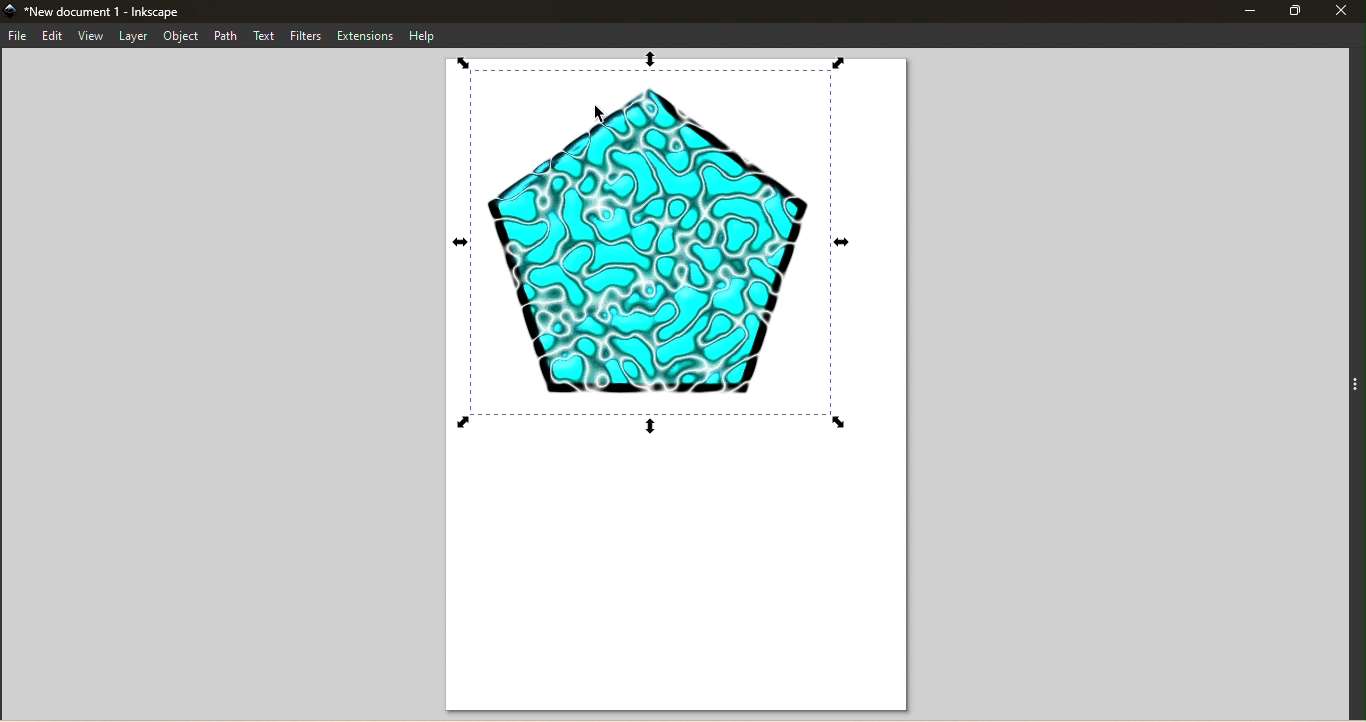 This screenshot has width=1366, height=722. Describe the element at coordinates (227, 36) in the screenshot. I see `Path` at that location.